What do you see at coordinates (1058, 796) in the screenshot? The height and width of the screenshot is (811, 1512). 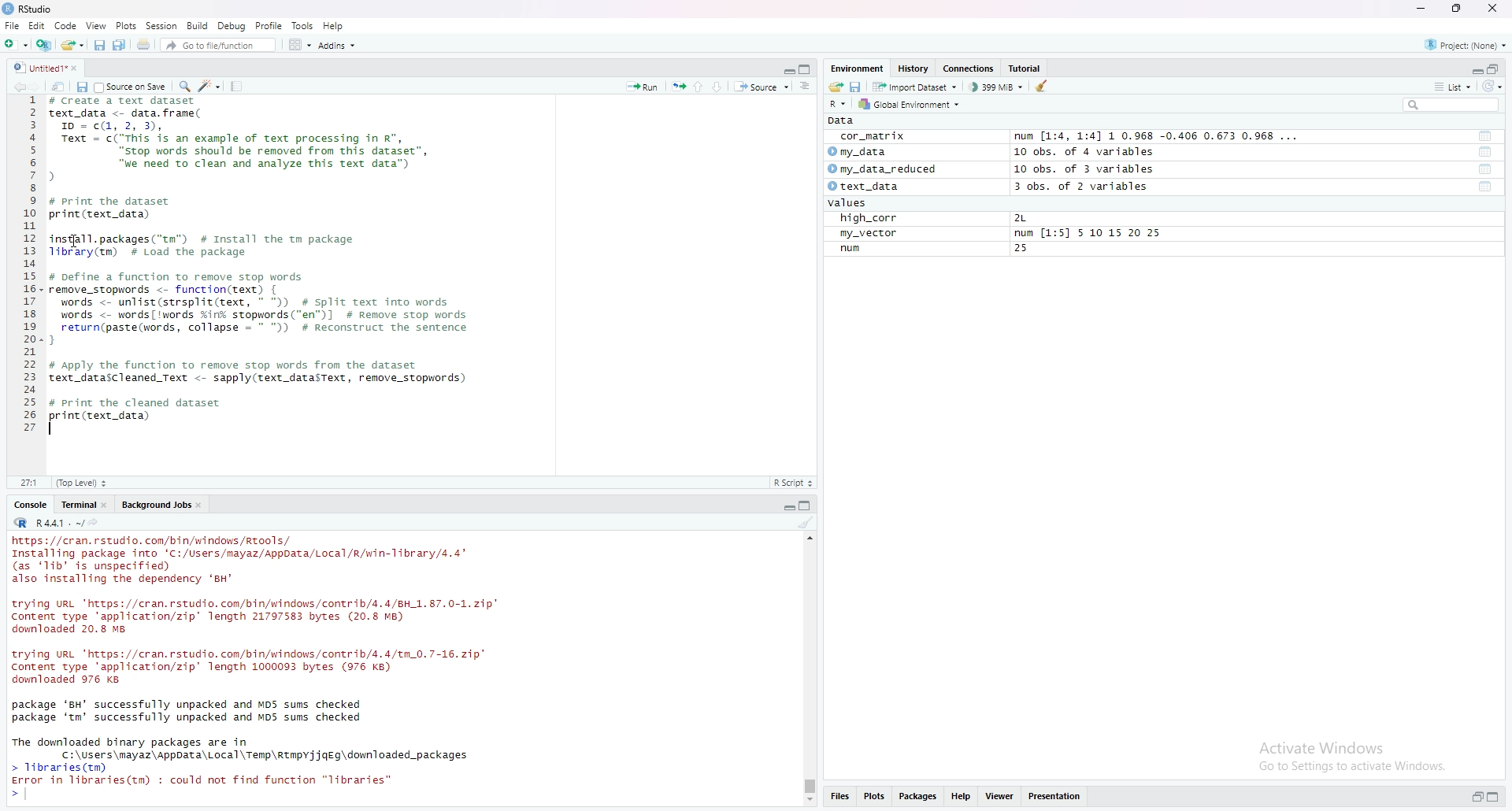 I see `presentation` at bounding box center [1058, 796].